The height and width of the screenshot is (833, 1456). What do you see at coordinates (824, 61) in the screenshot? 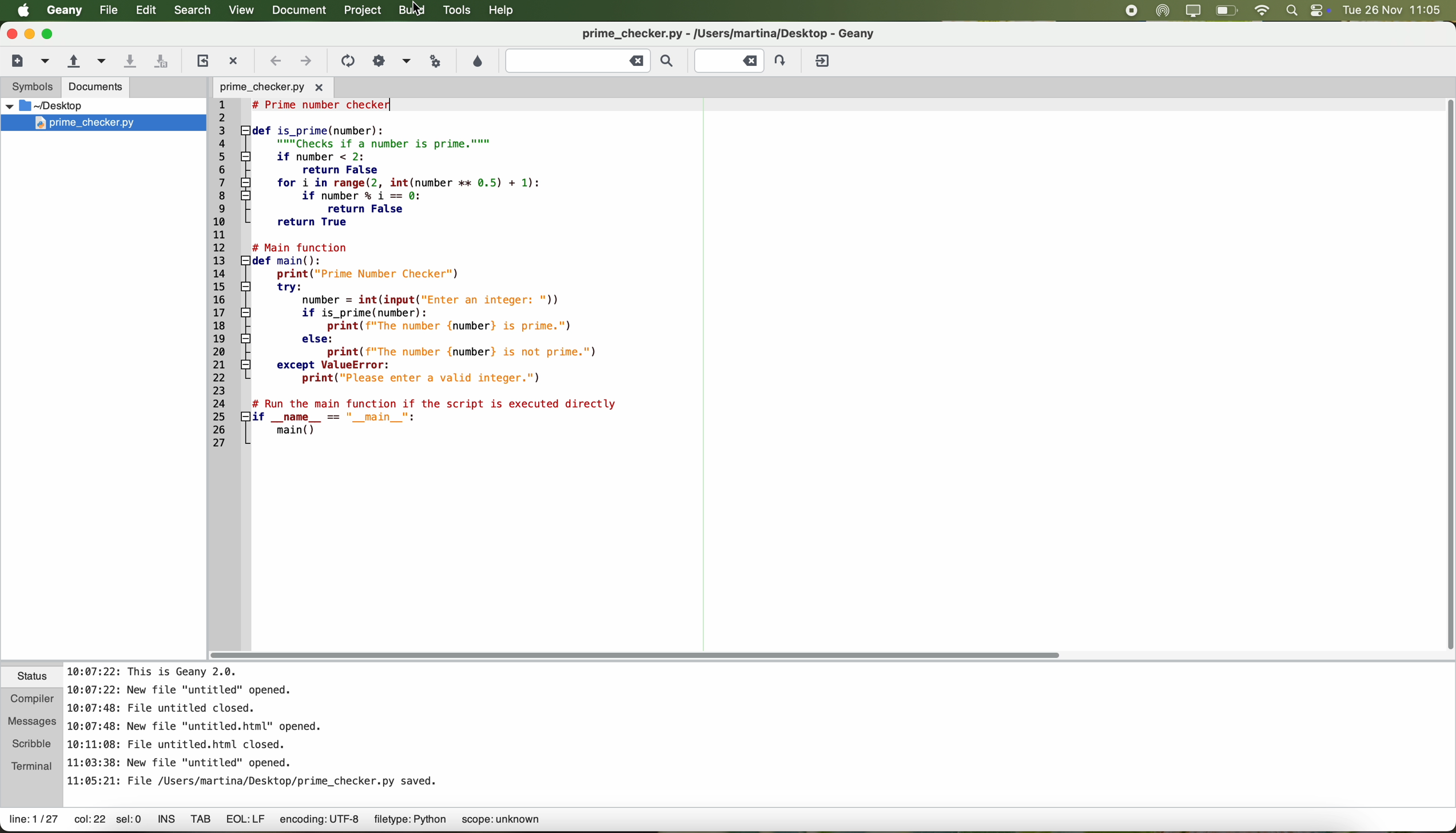
I see `quit Geany` at bounding box center [824, 61].